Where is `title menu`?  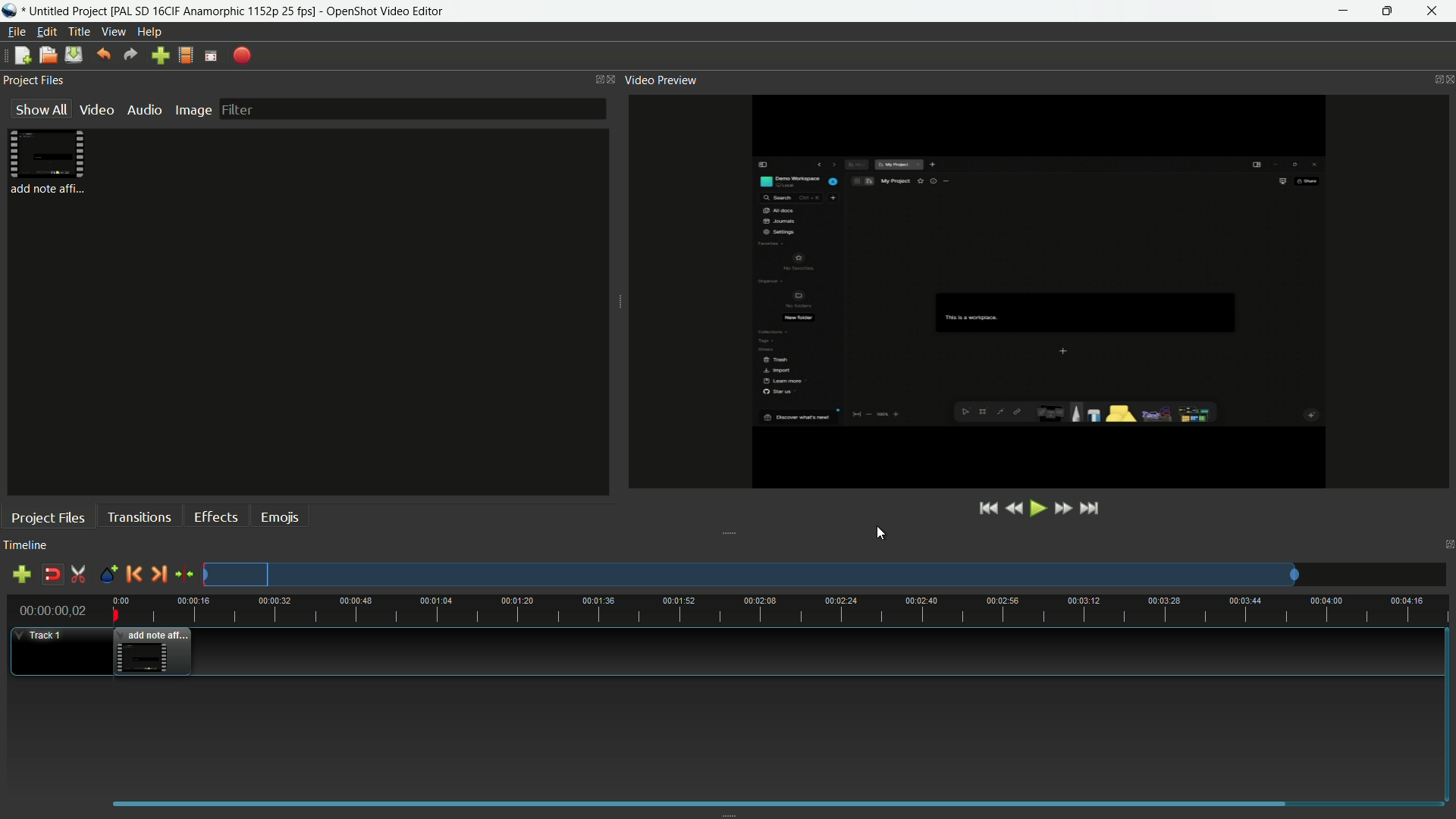
title menu is located at coordinates (76, 31).